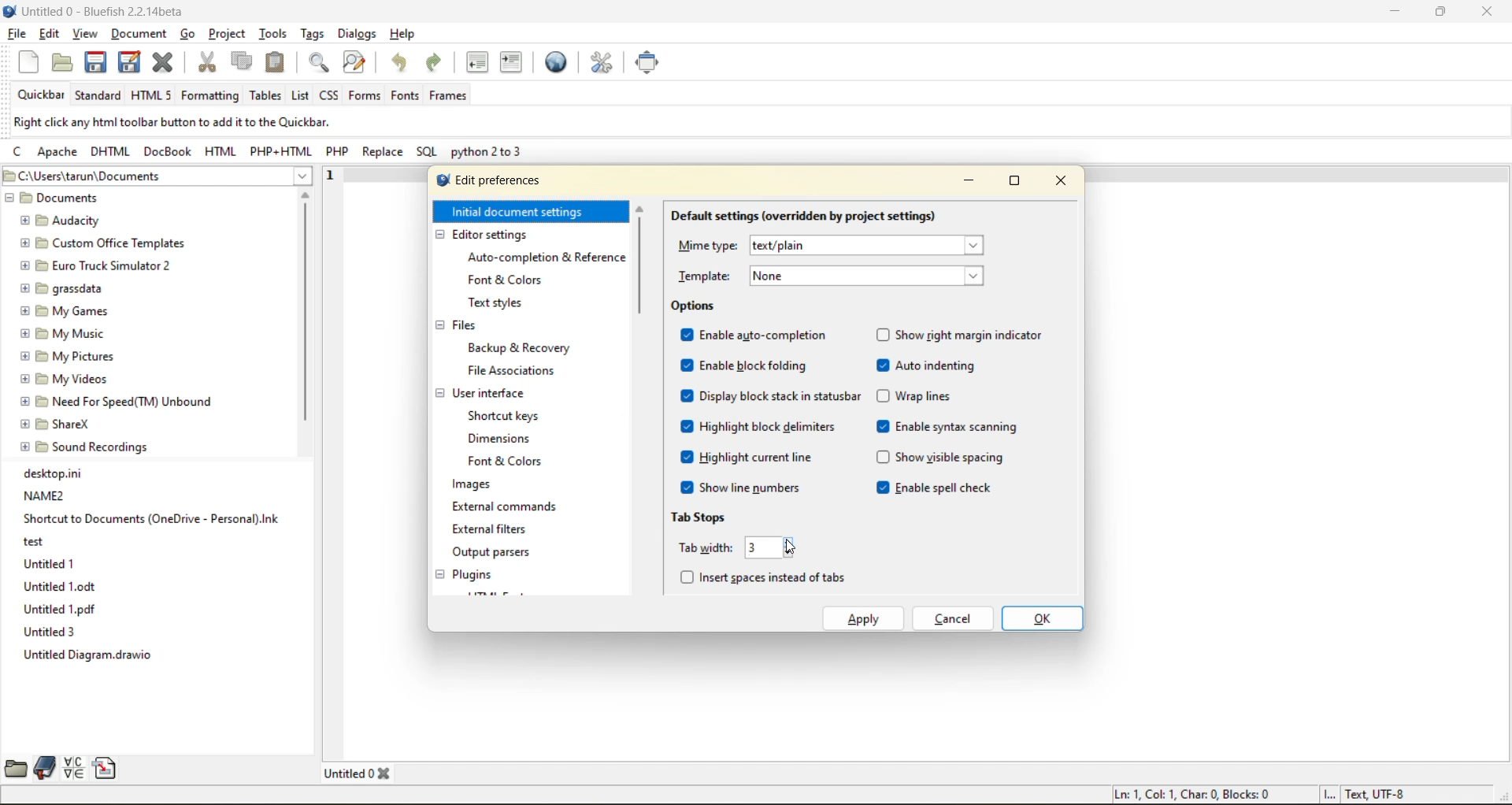 The image size is (1512, 805). I want to click on edit preferences, so click(489, 179).